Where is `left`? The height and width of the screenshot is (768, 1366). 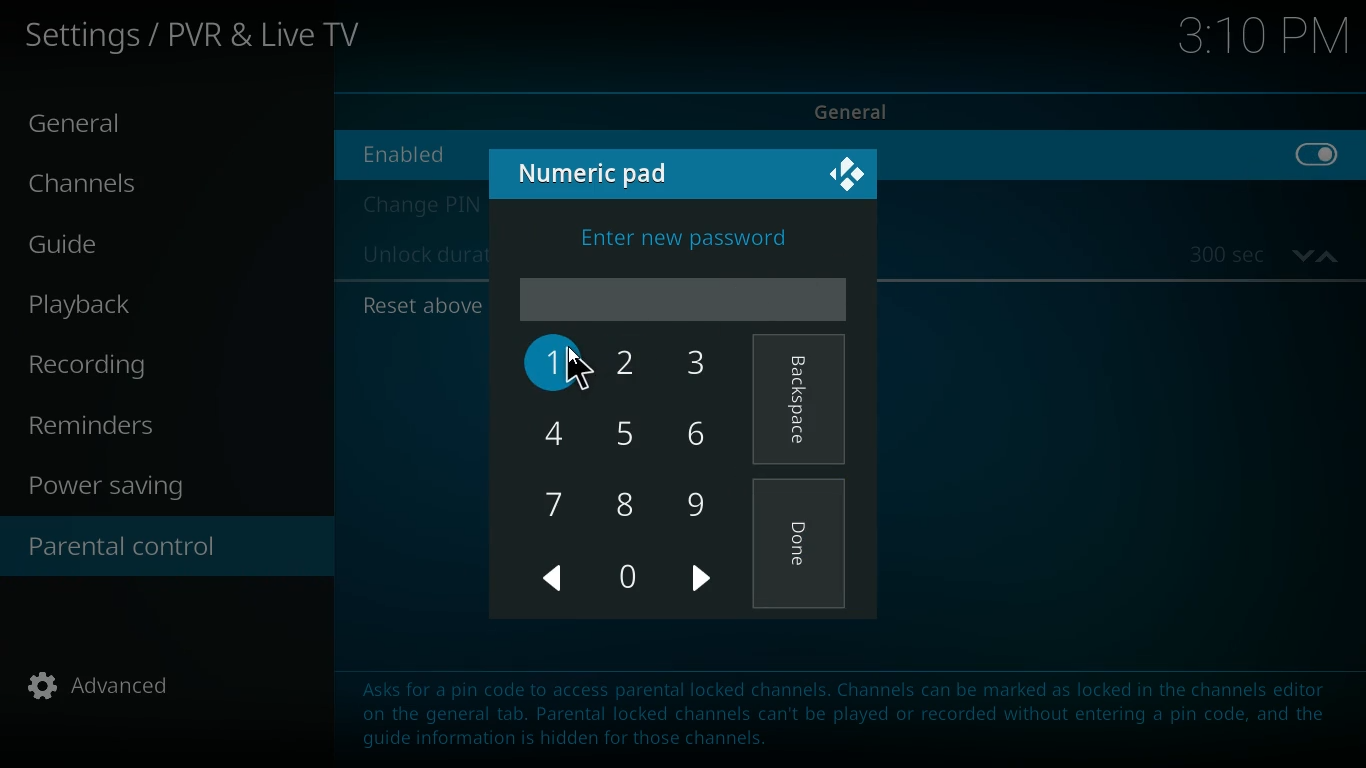 left is located at coordinates (555, 579).